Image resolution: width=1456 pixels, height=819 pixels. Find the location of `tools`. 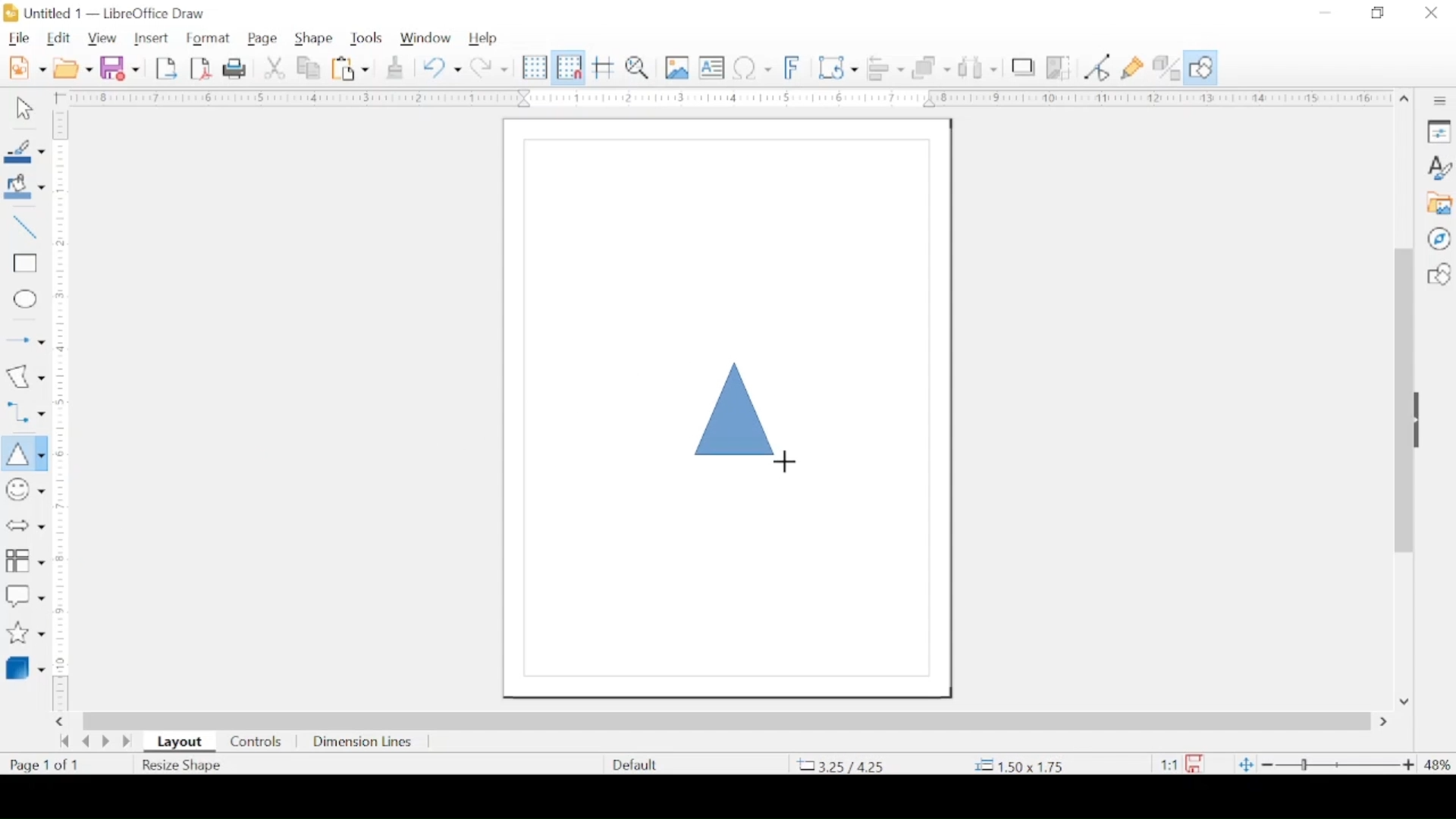

tools is located at coordinates (366, 38).